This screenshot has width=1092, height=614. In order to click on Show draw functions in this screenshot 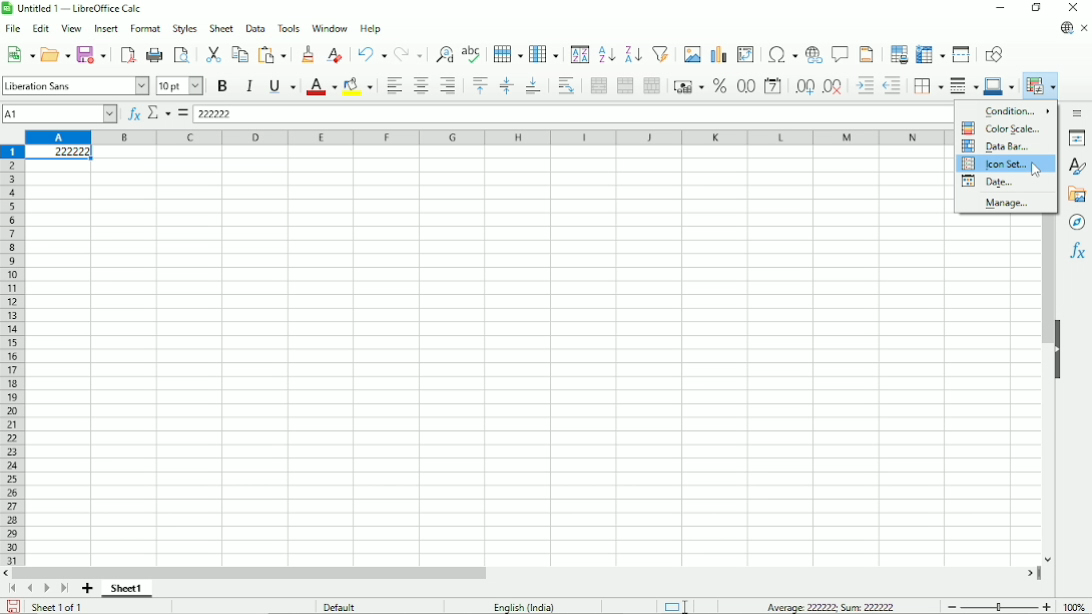, I will do `click(994, 53)`.